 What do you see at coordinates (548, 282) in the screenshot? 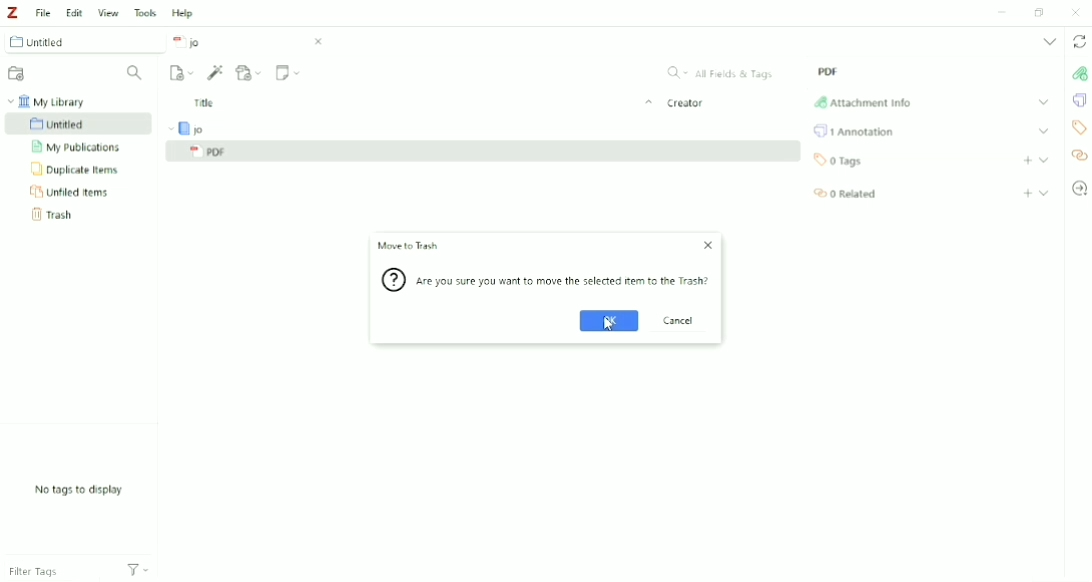
I see `/Are you sure you want to move the selected item to Trash` at bounding box center [548, 282].